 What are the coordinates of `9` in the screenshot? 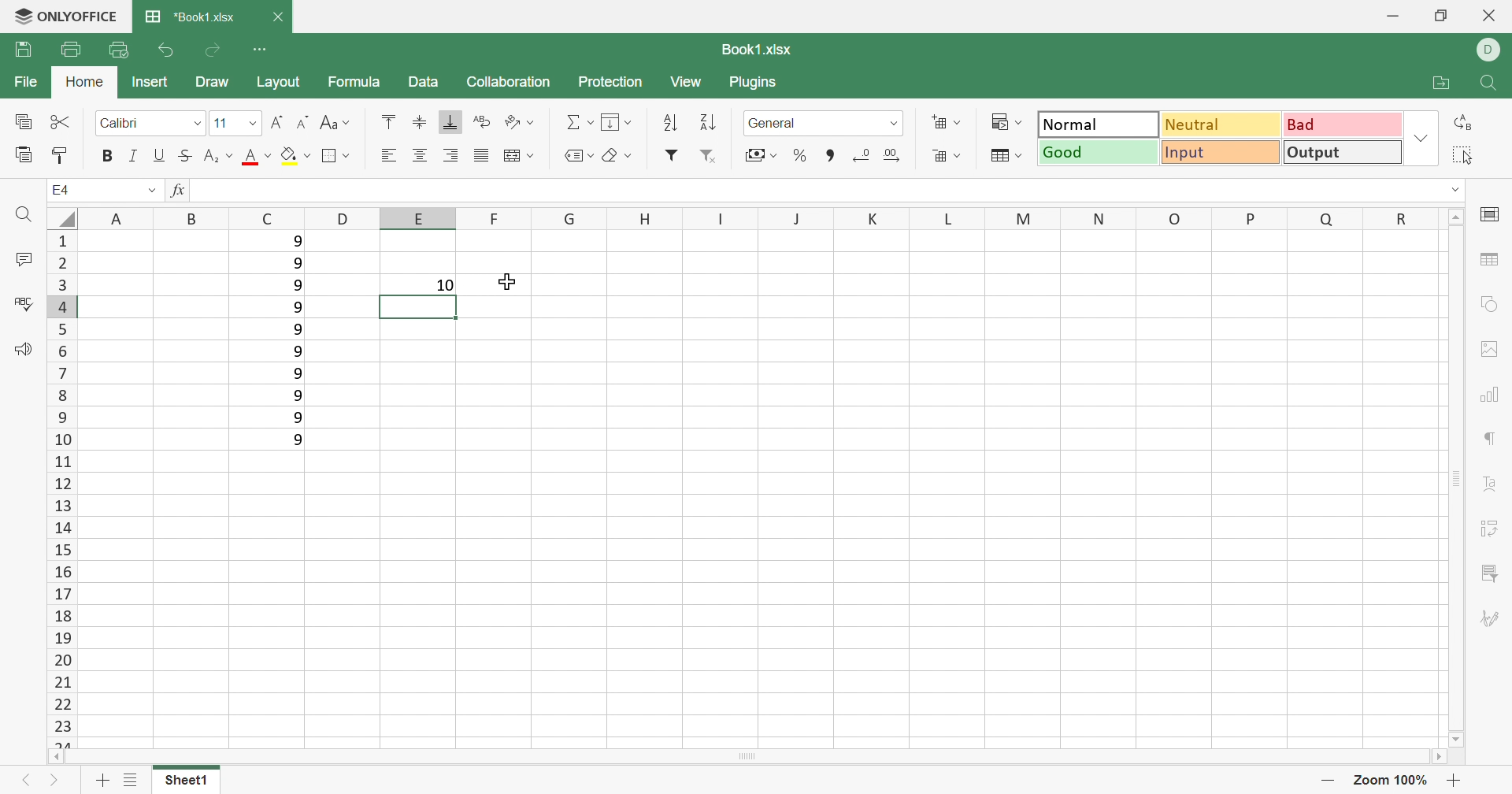 It's located at (298, 351).